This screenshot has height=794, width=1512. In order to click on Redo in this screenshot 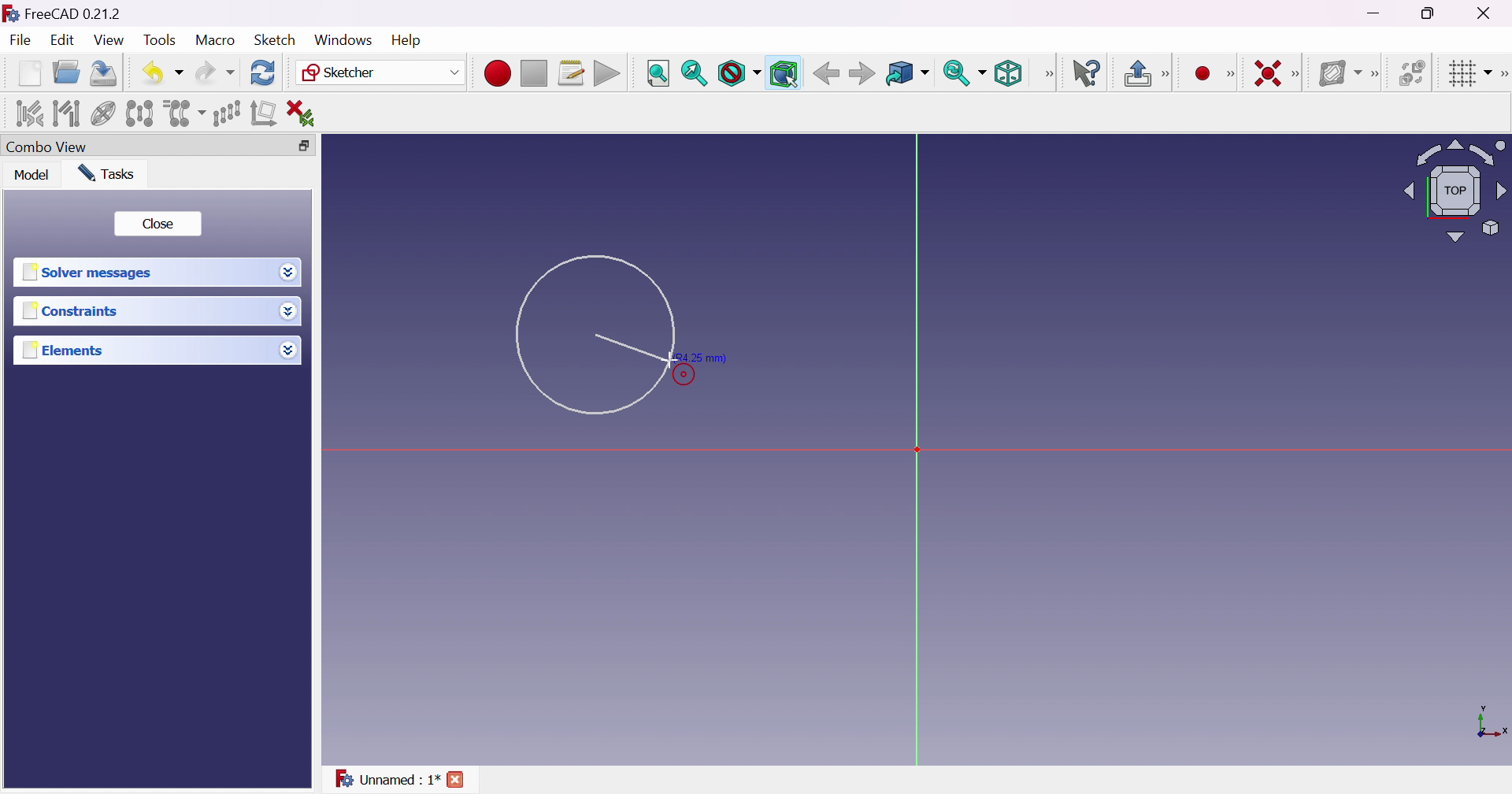, I will do `click(215, 72)`.